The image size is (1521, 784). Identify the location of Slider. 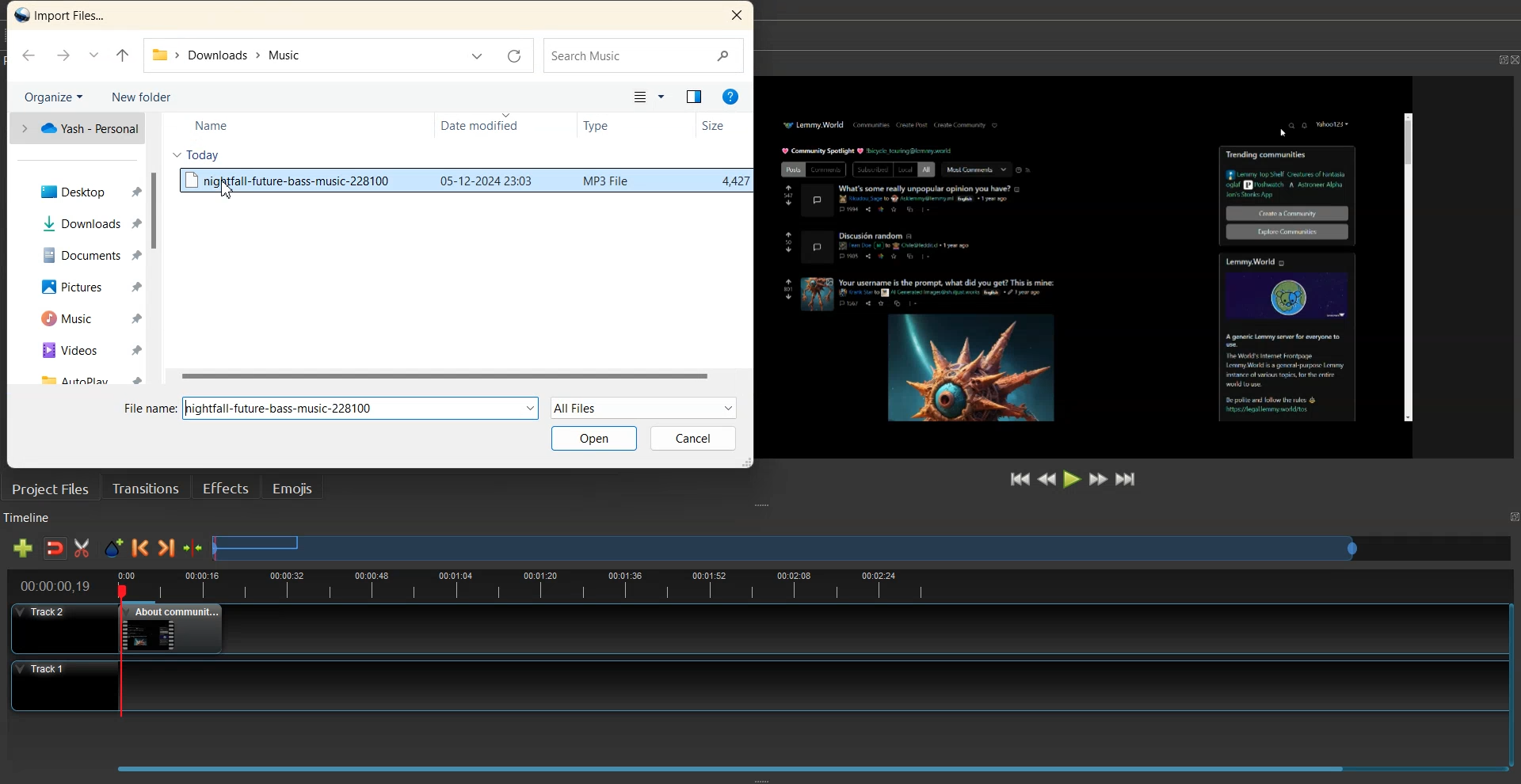
(863, 547).